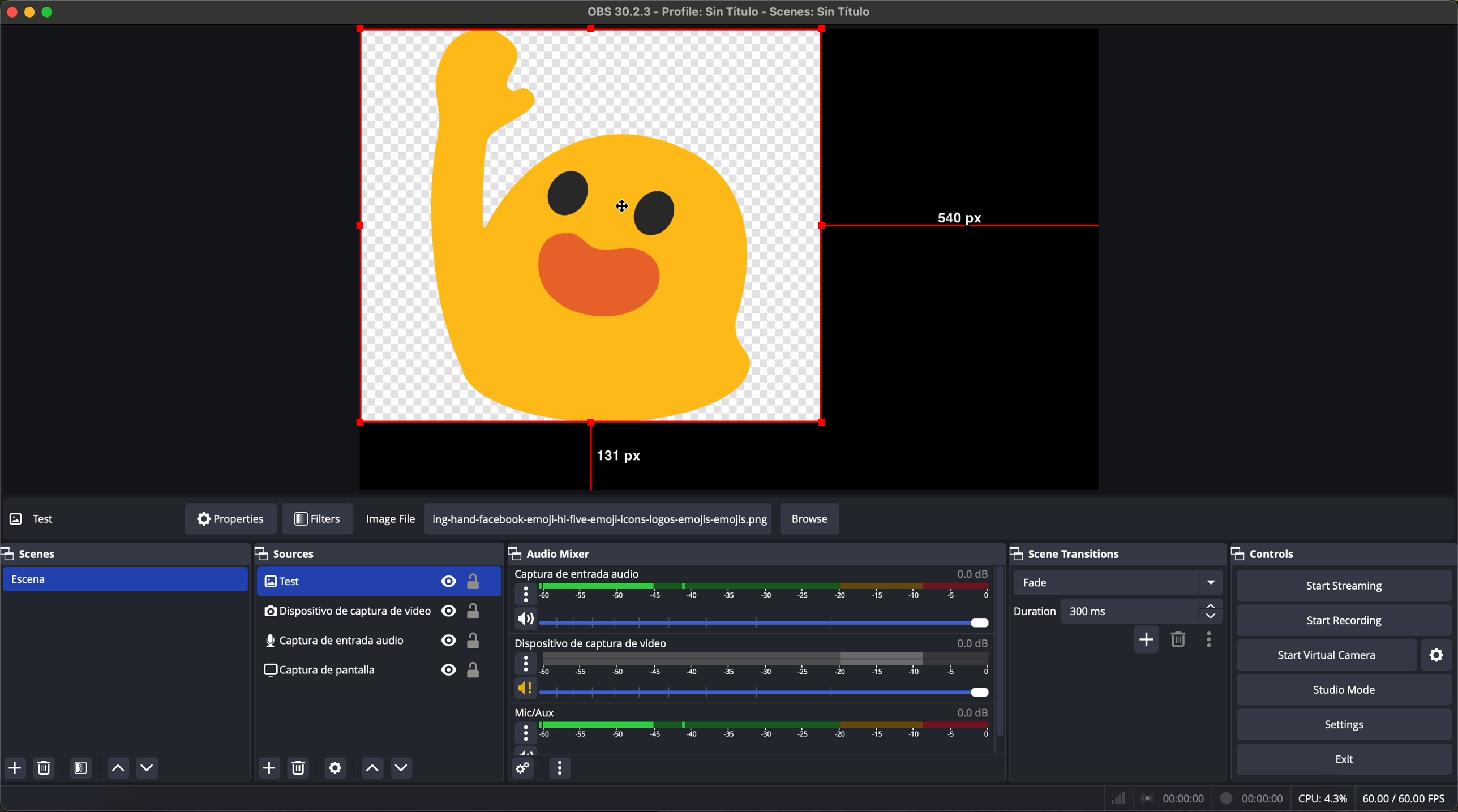 This screenshot has width=1458, height=812. What do you see at coordinates (371, 642) in the screenshot?
I see `screenshot` at bounding box center [371, 642].